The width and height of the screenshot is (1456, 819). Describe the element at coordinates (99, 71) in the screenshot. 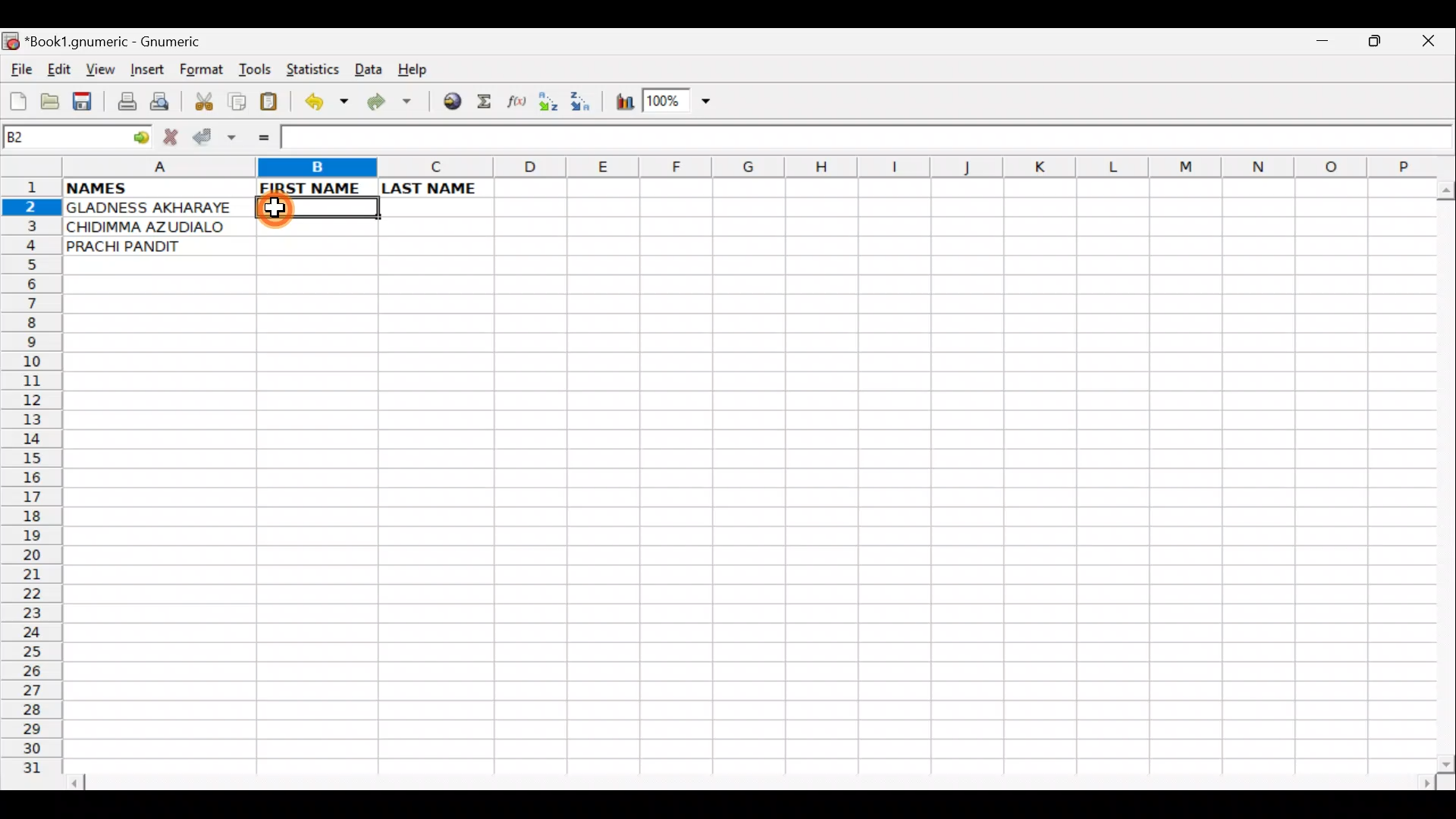

I see `View` at that location.